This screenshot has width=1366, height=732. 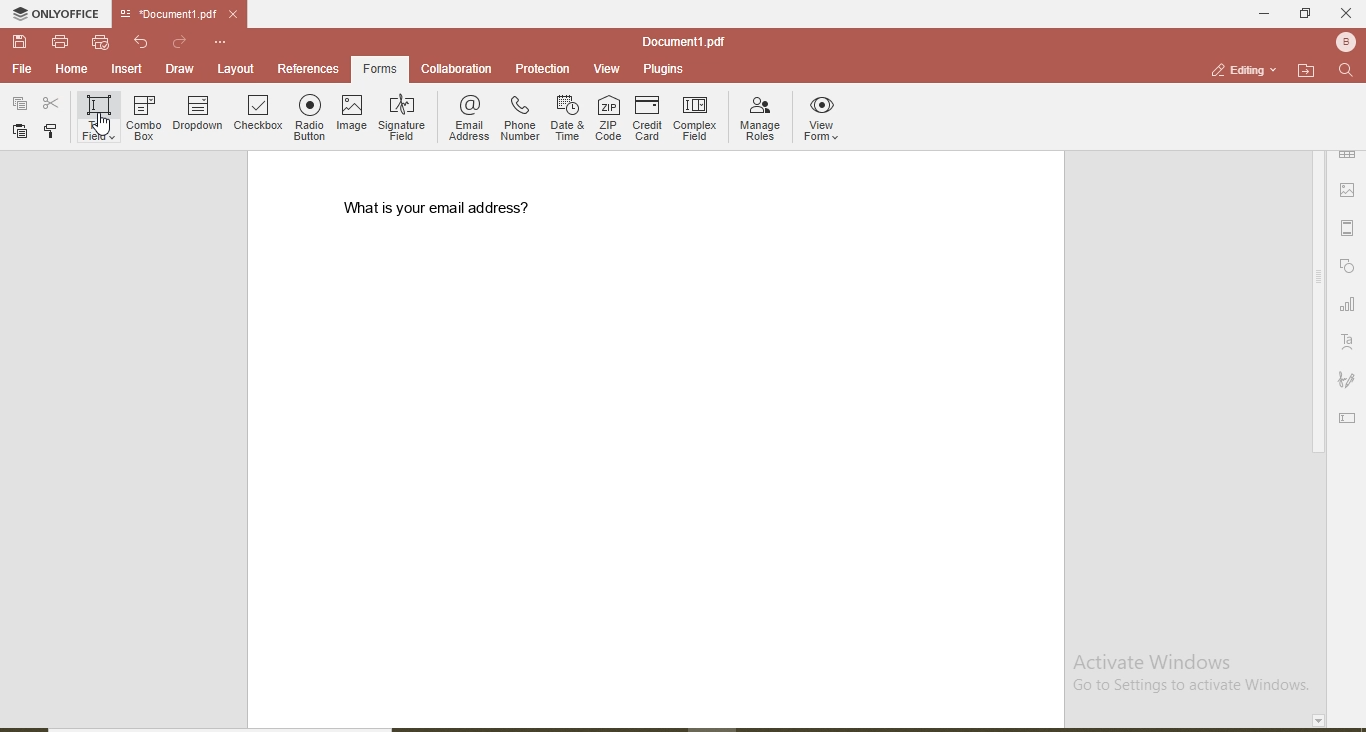 I want to click on cut, so click(x=52, y=104).